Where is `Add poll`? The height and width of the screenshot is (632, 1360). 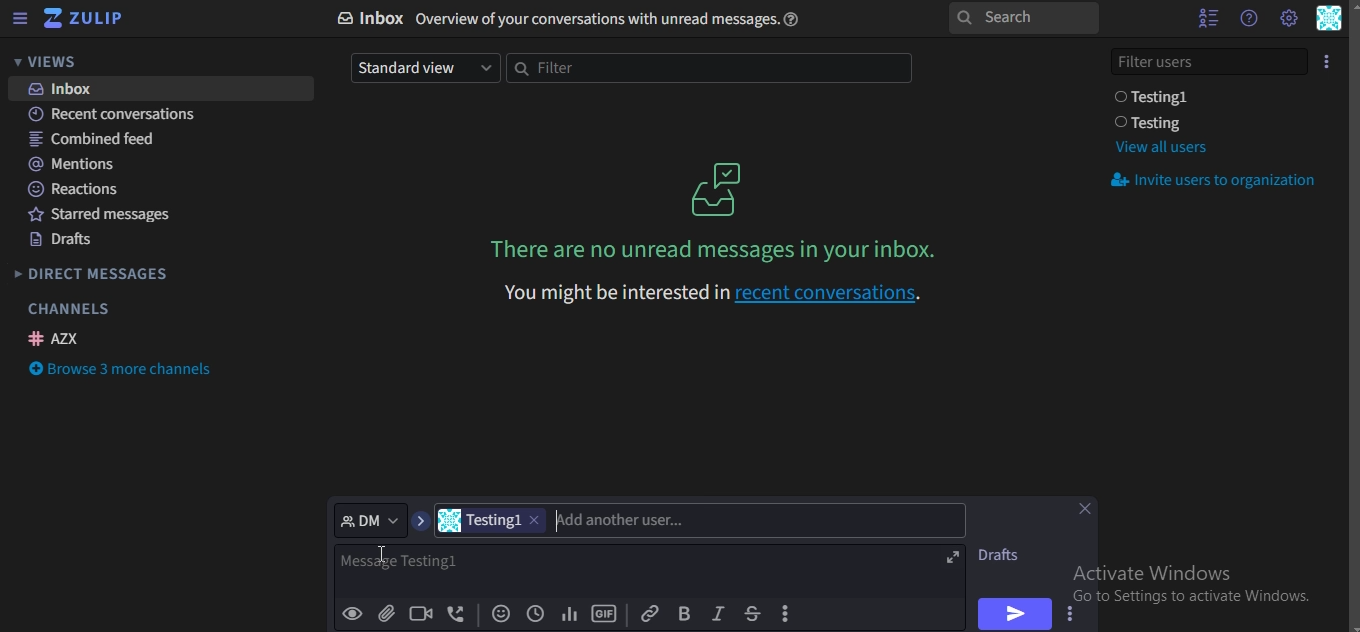 Add poll is located at coordinates (569, 615).